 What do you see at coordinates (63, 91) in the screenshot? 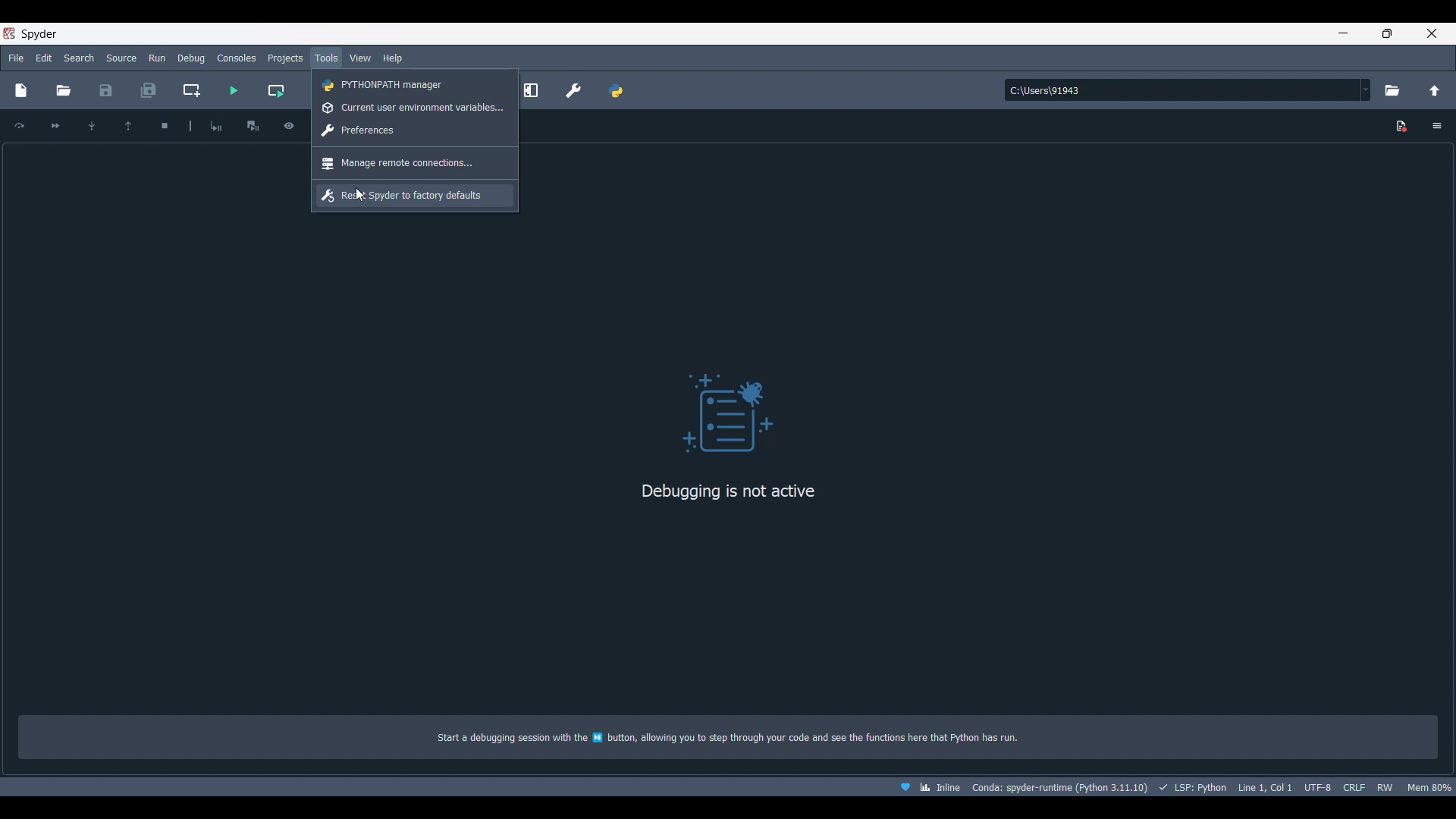
I see `Open` at bounding box center [63, 91].